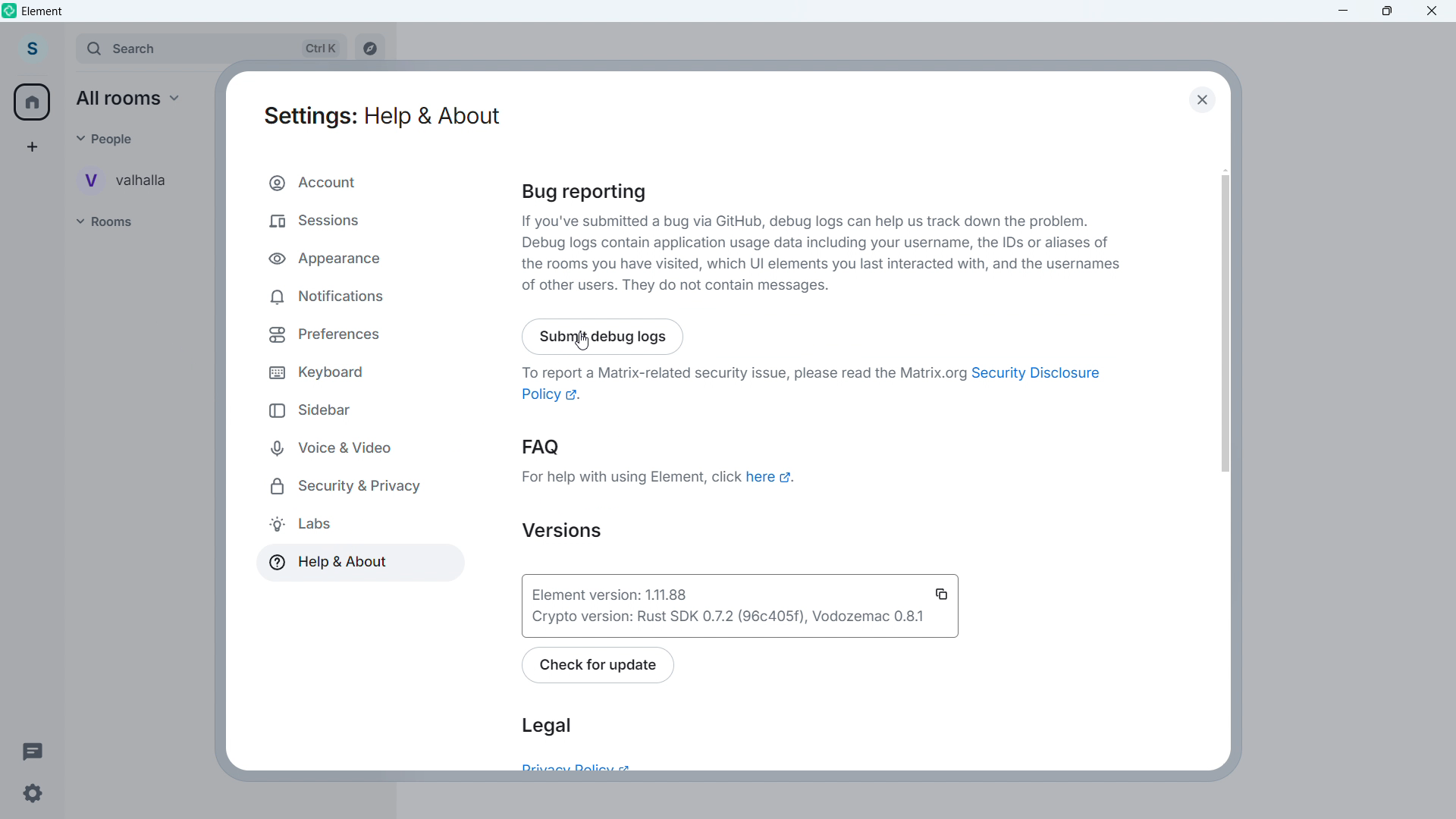  I want to click on Account , so click(350, 183).